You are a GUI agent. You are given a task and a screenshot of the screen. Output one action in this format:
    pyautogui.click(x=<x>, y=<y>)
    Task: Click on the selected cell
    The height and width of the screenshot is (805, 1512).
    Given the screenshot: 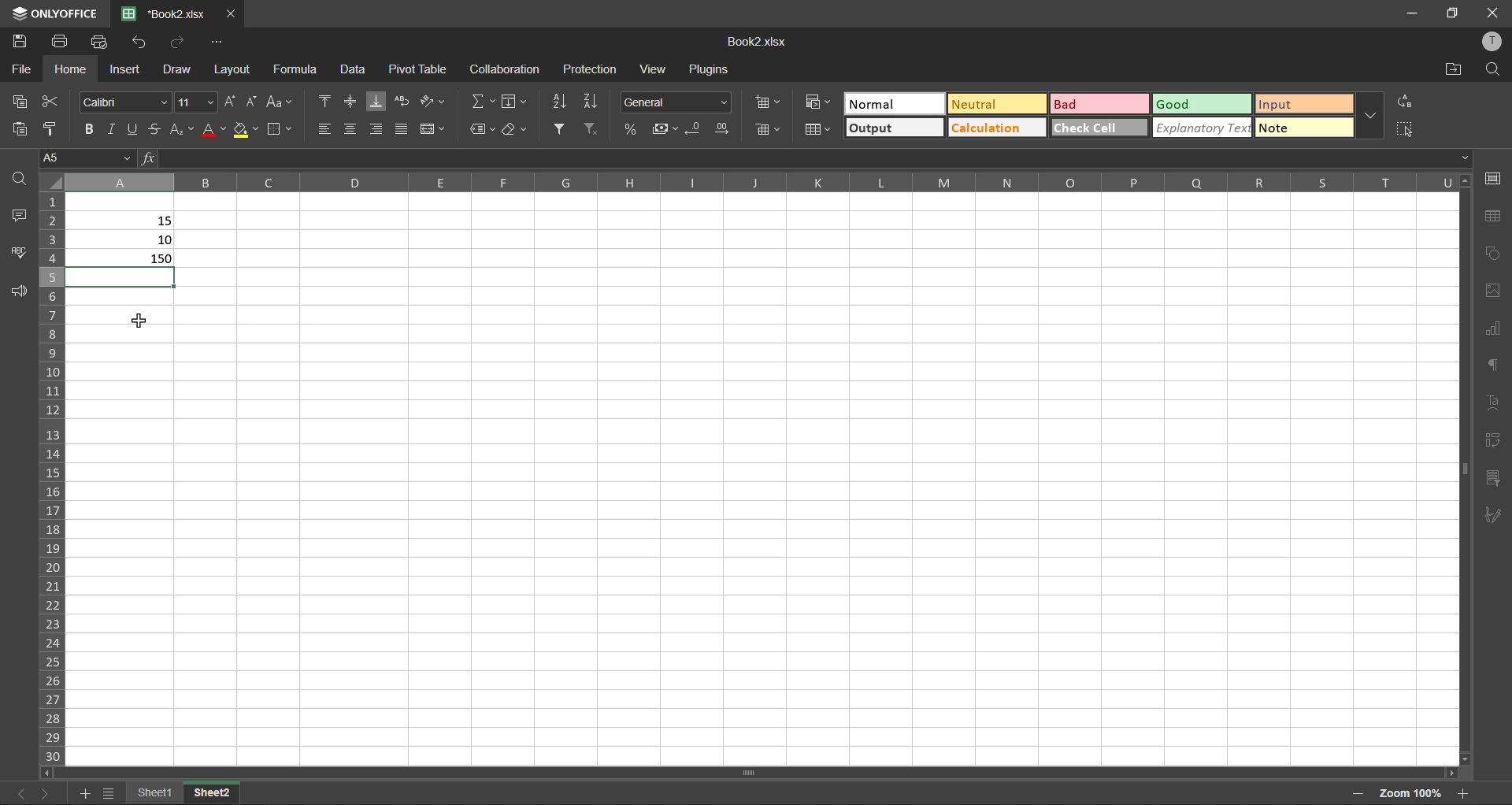 What is the action you would take?
    pyautogui.click(x=123, y=277)
    